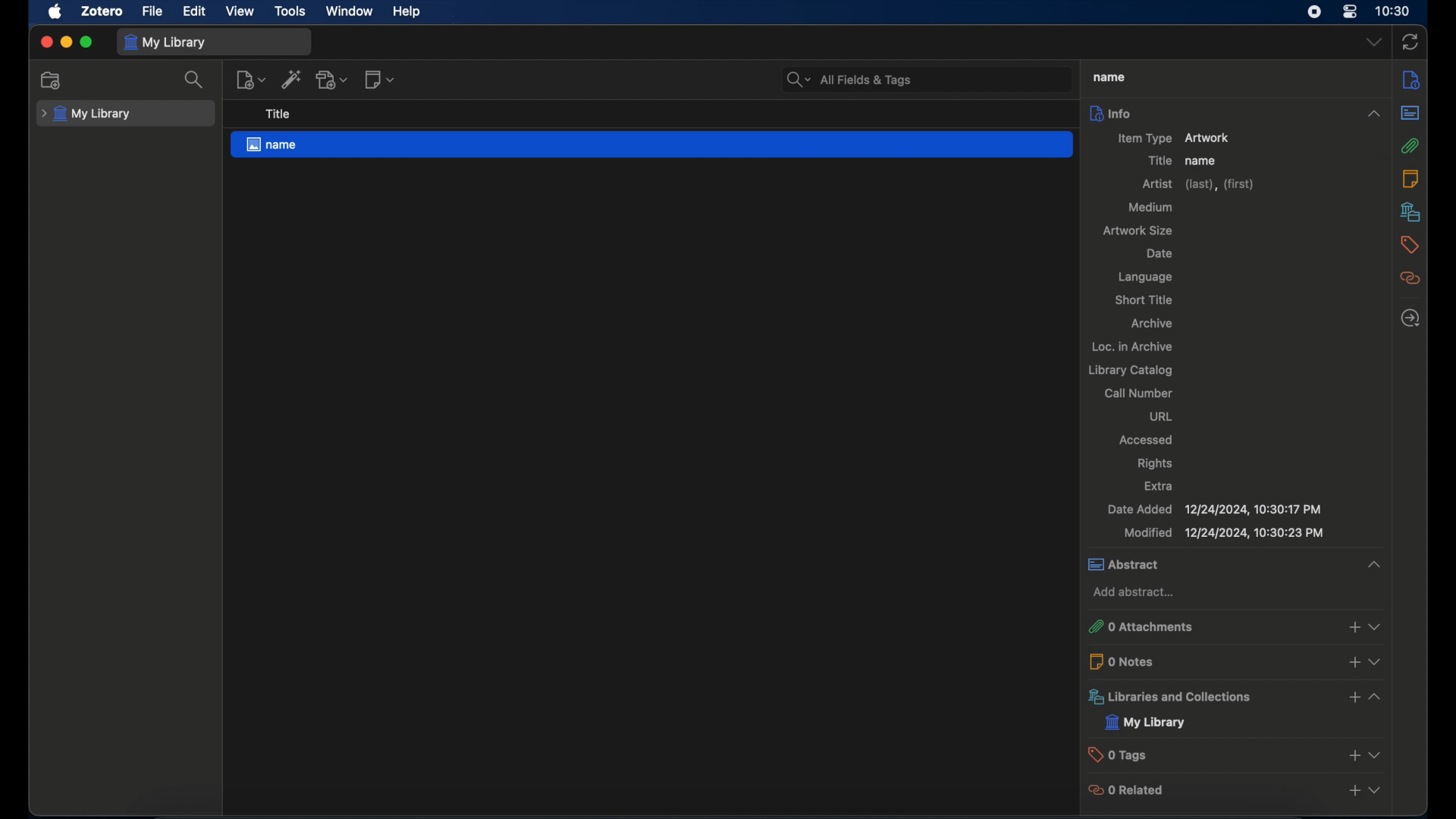  What do you see at coordinates (1159, 254) in the screenshot?
I see `date` at bounding box center [1159, 254].